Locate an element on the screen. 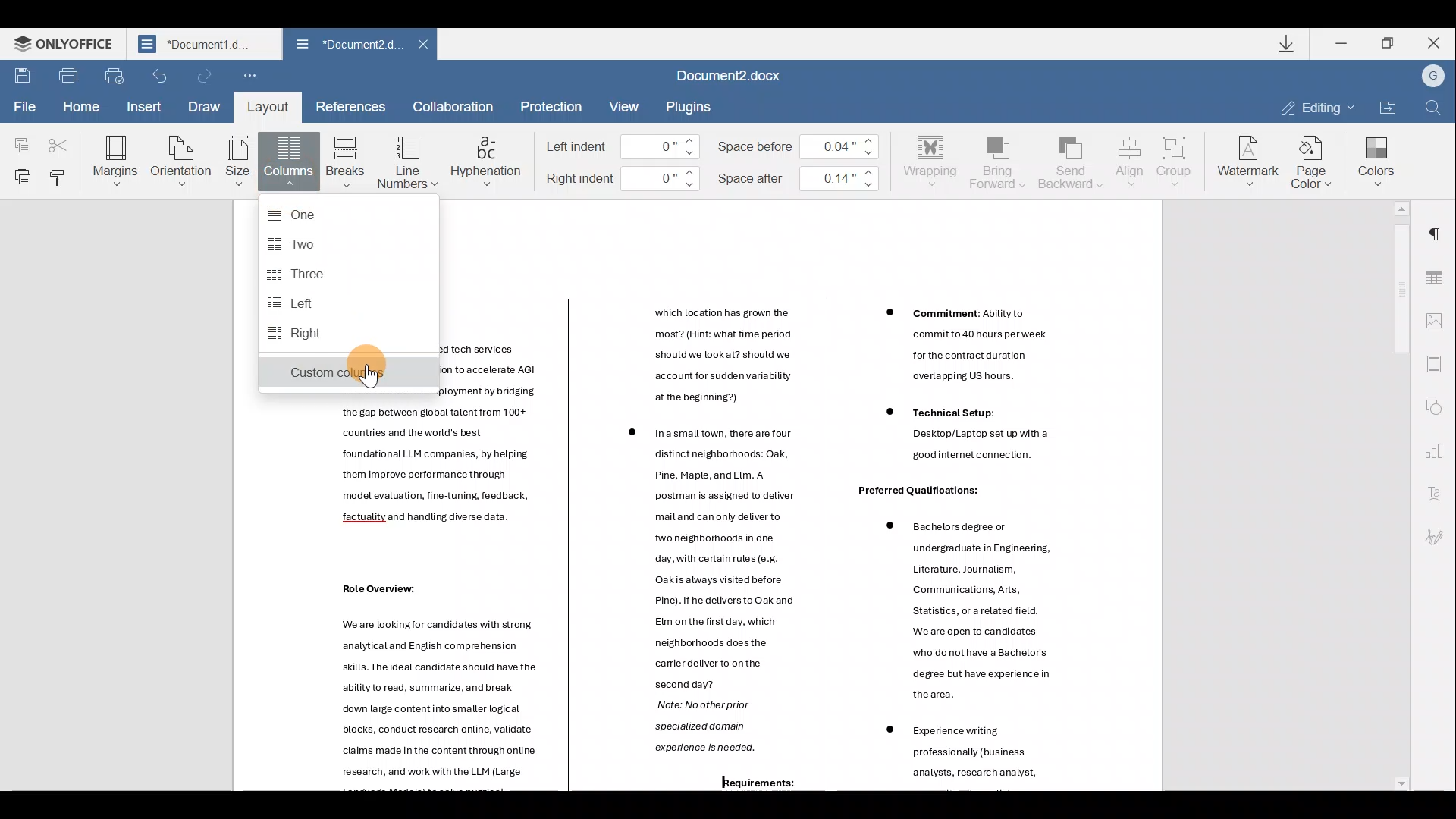 Image resolution: width=1456 pixels, height=819 pixels. Customize quick access toolbar is located at coordinates (250, 77).